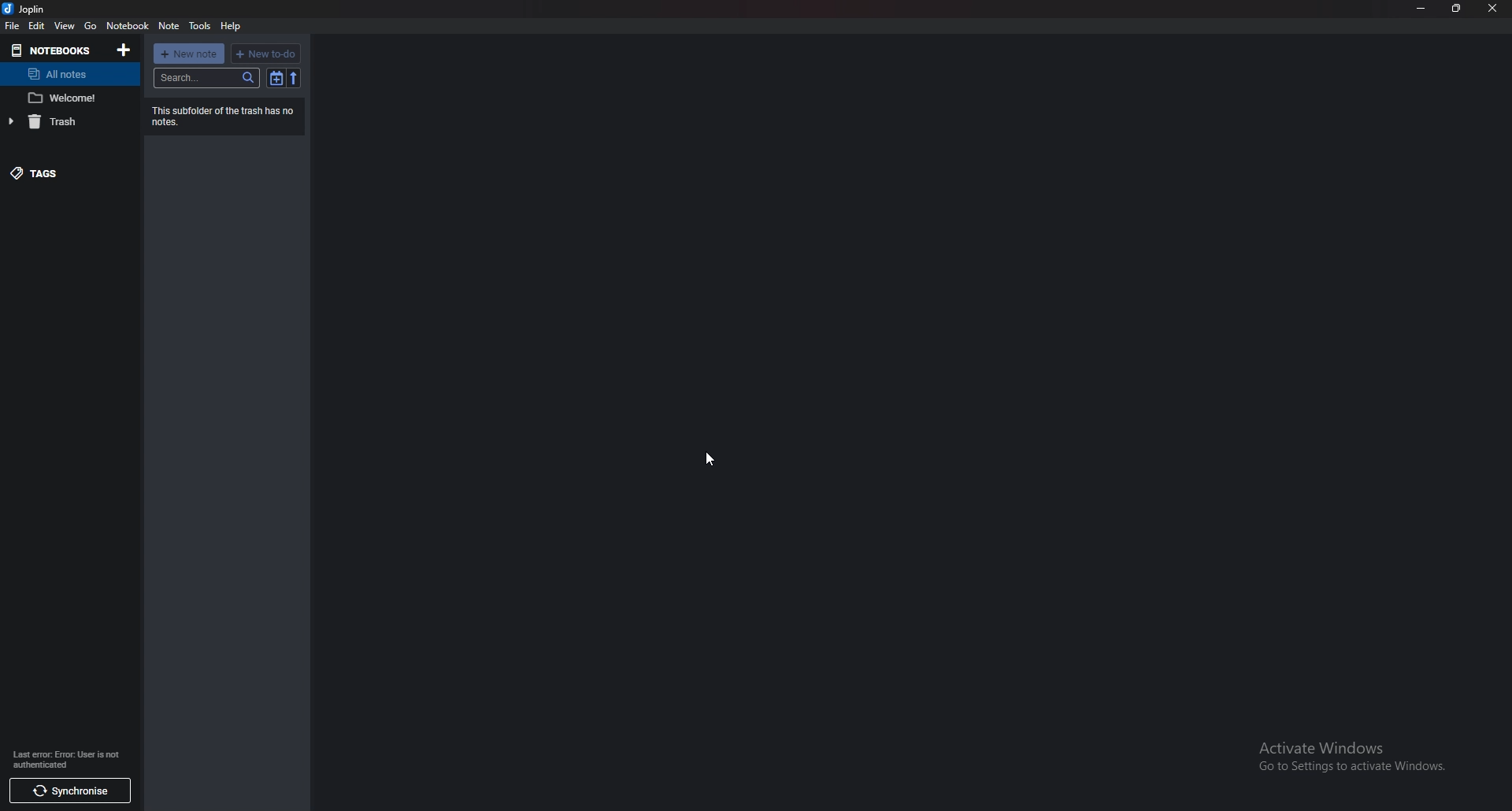  I want to click on Toggle sort, so click(278, 78).